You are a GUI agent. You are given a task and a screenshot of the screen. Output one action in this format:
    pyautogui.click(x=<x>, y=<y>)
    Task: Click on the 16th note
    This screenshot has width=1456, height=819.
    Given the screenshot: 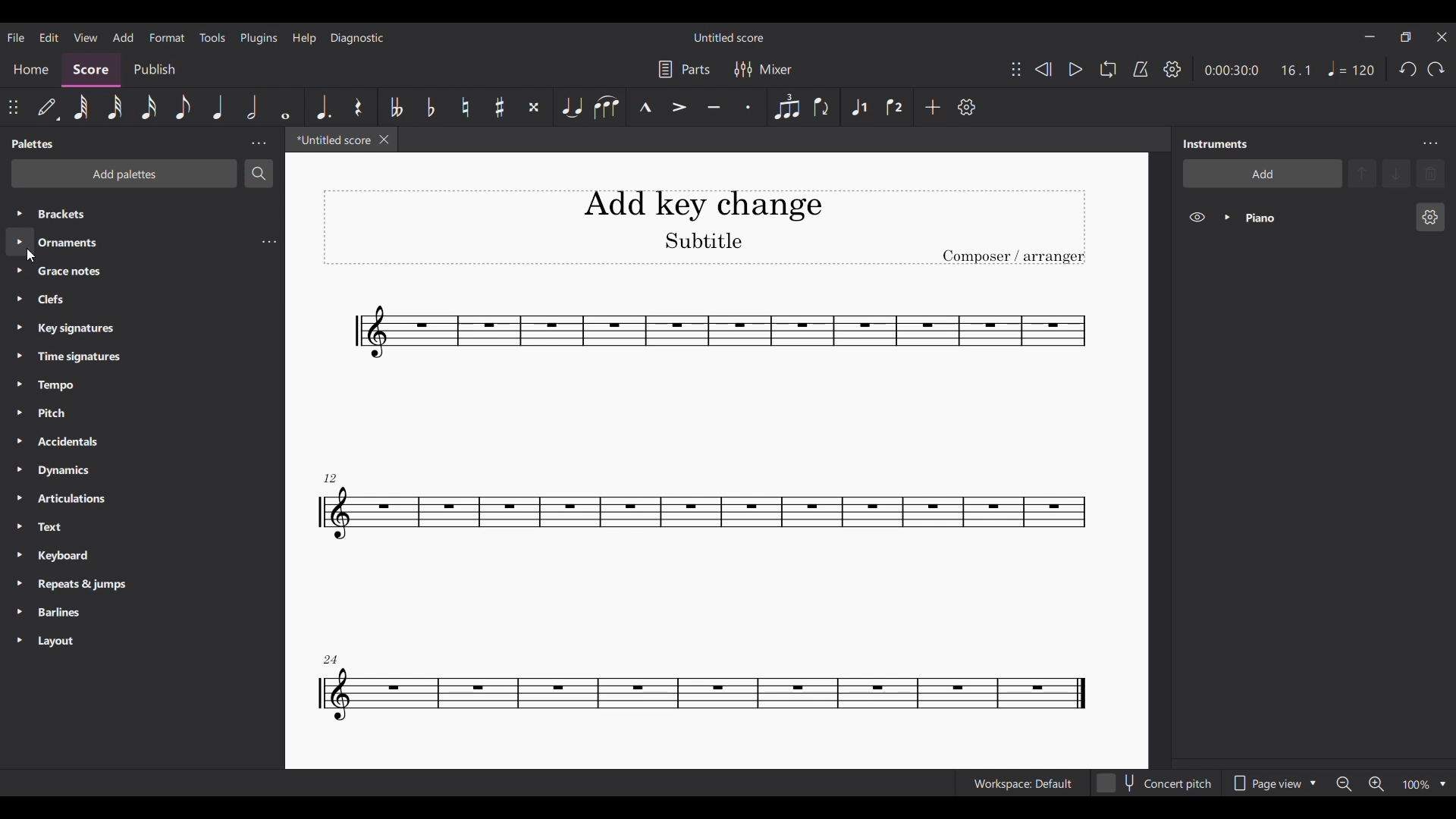 What is the action you would take?
    pyautogui.click(x=149, y=106)
    